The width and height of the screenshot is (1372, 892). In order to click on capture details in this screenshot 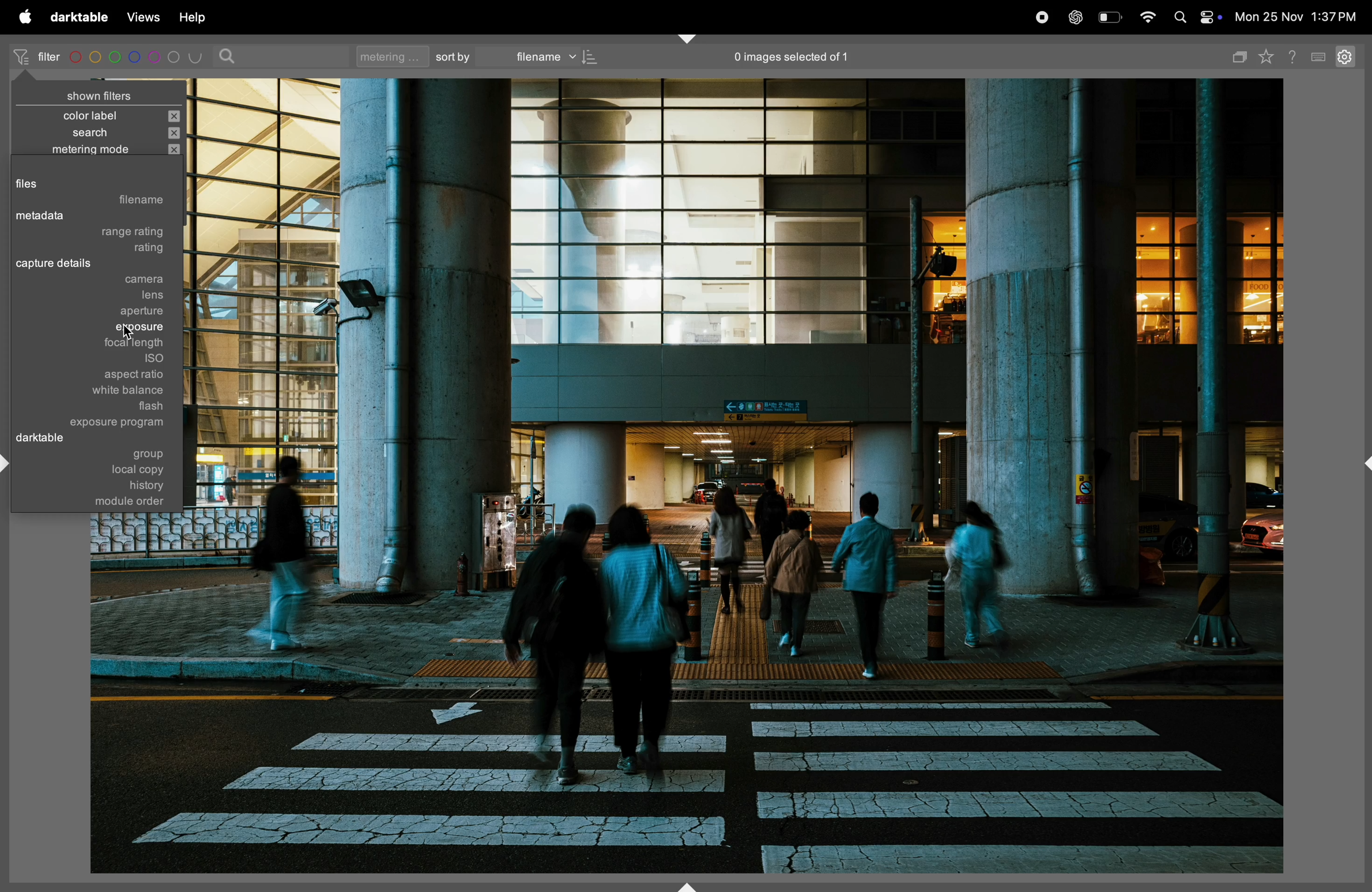, I will do `click(87, 265)`.